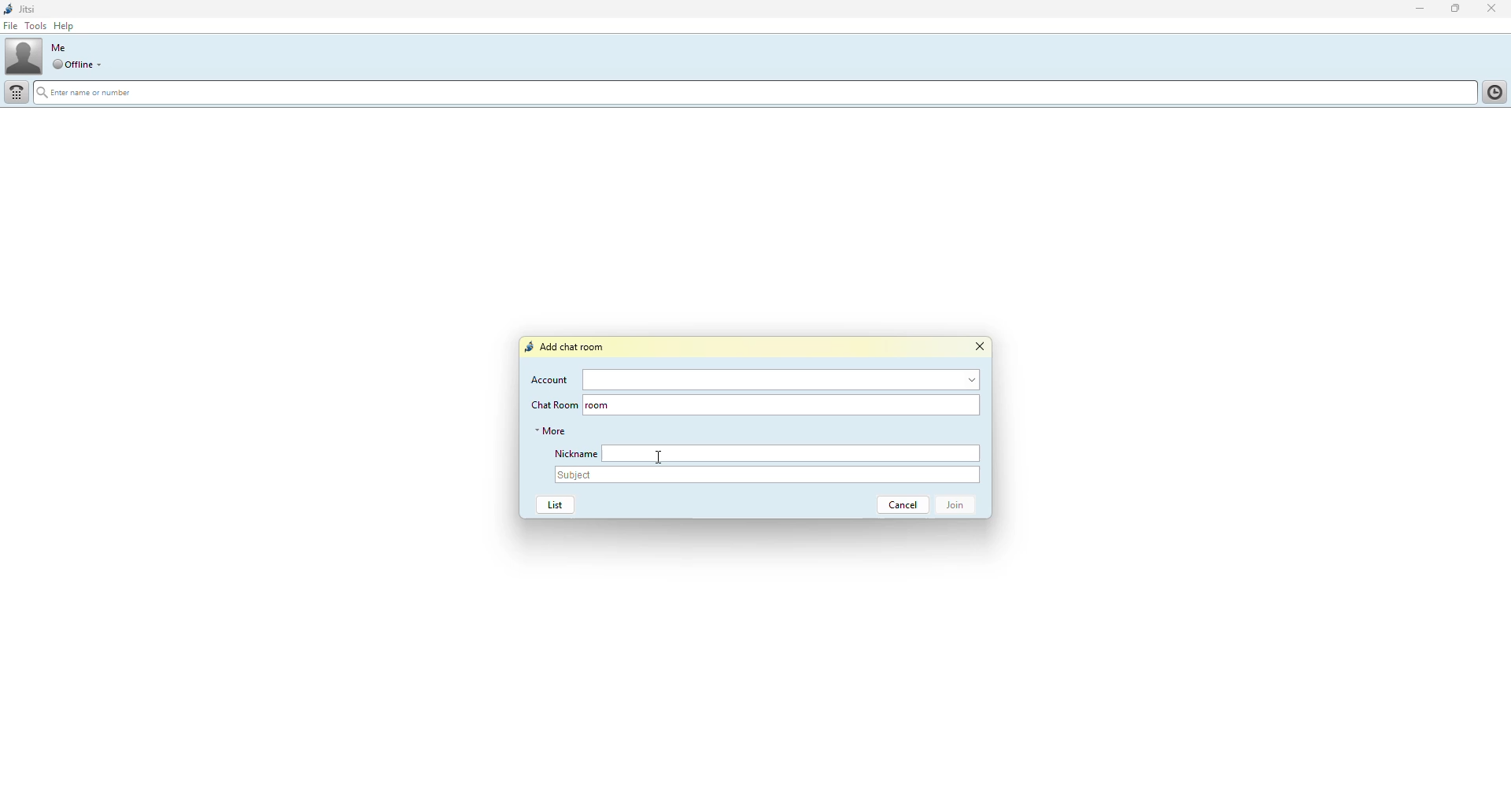 This screenshot has width=1511, height=812. What do you see at coordinates (1494, 8) in the screenshot?
I see `close` at bounding box center [1494, 8].